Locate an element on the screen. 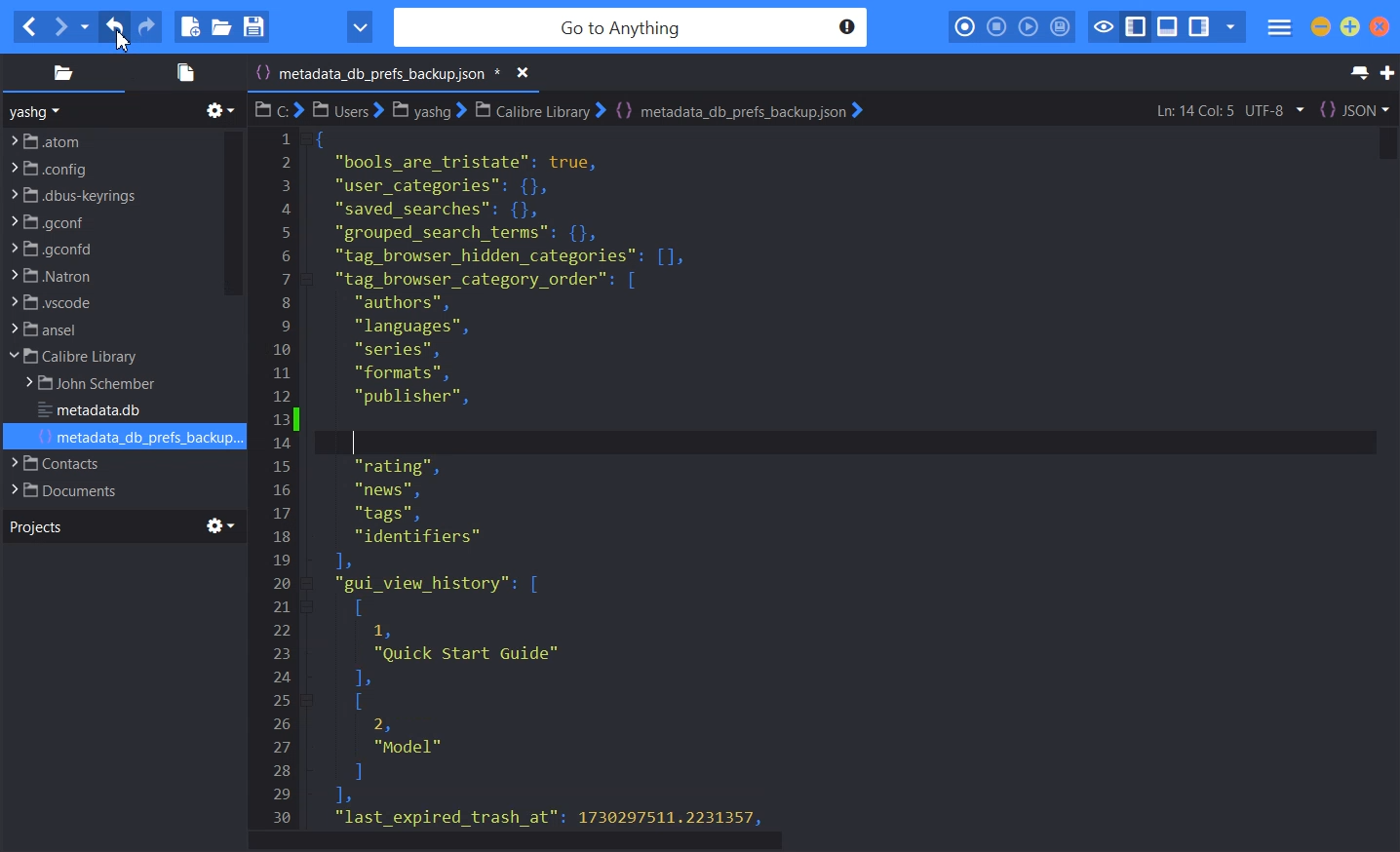 The width and height of the screenshot is (1400, 852). Redo last action is located at coordinates (145, 27).